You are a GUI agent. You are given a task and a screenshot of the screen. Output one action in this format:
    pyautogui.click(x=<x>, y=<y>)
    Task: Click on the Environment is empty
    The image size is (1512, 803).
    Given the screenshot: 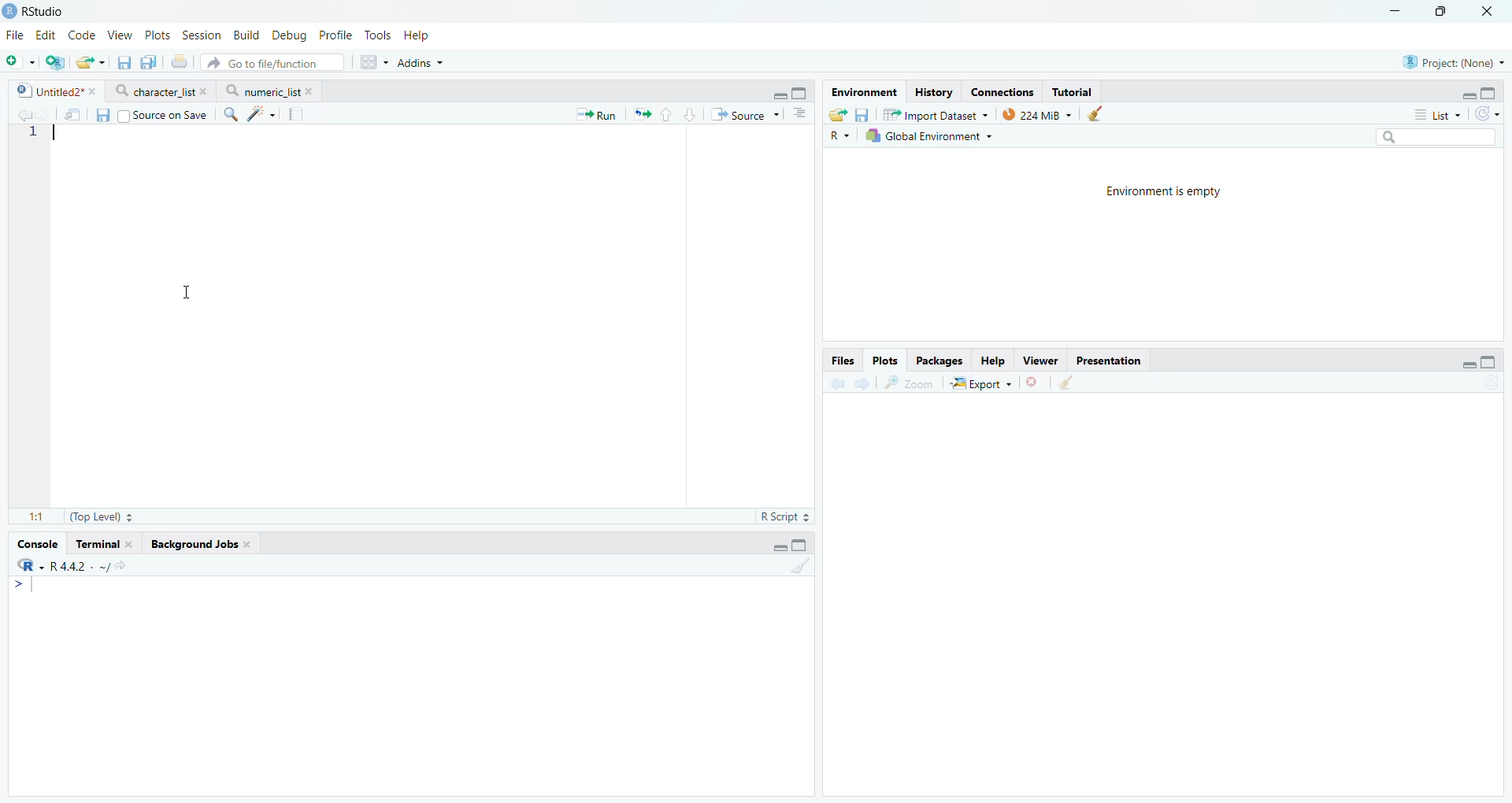 What is the action you would take?
    pyautogui.click(x=1166, y=193)
    